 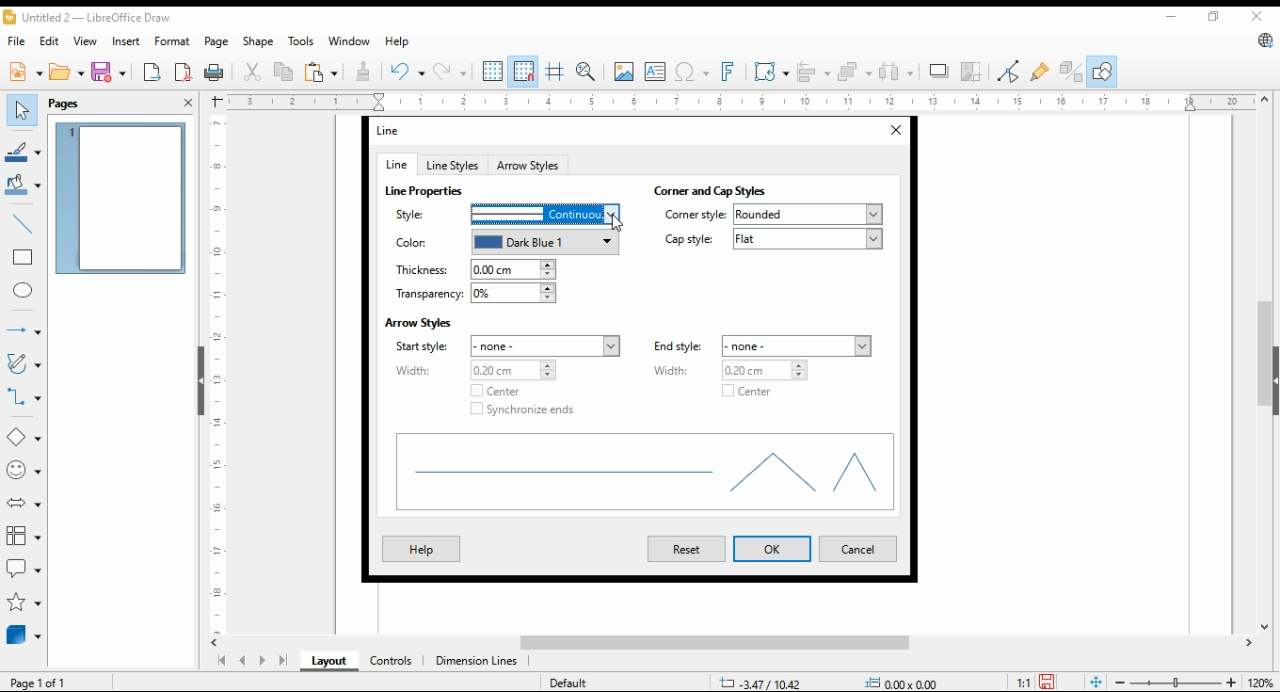 I want to click on arrow styles, so click(x=418, y=321).